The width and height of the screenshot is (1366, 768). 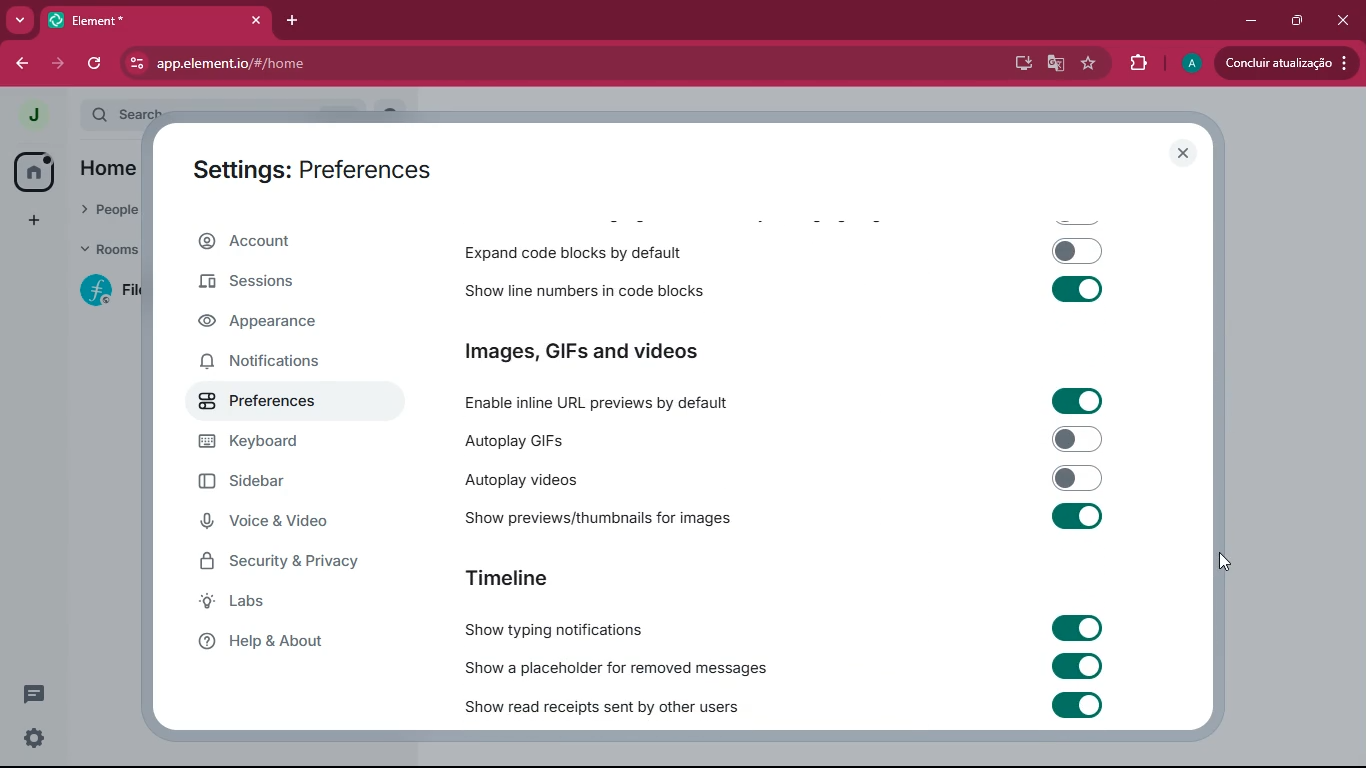 I want to click on add tab, so click(x=292, y=21).